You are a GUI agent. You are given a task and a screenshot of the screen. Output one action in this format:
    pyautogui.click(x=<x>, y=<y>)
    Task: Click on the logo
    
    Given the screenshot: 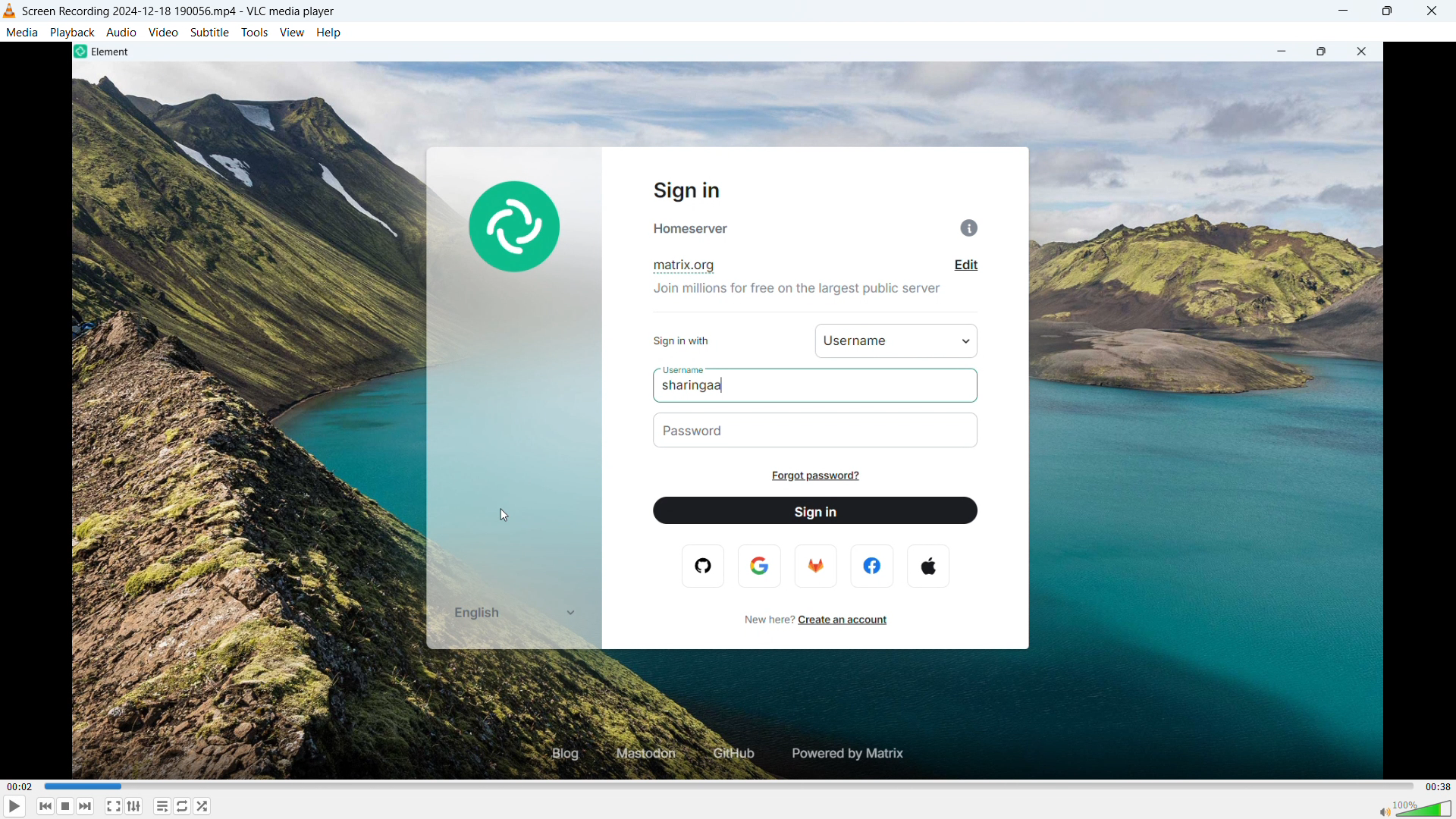 What is the action you would take?
    pyautogui.click(x=10, y=11)
    